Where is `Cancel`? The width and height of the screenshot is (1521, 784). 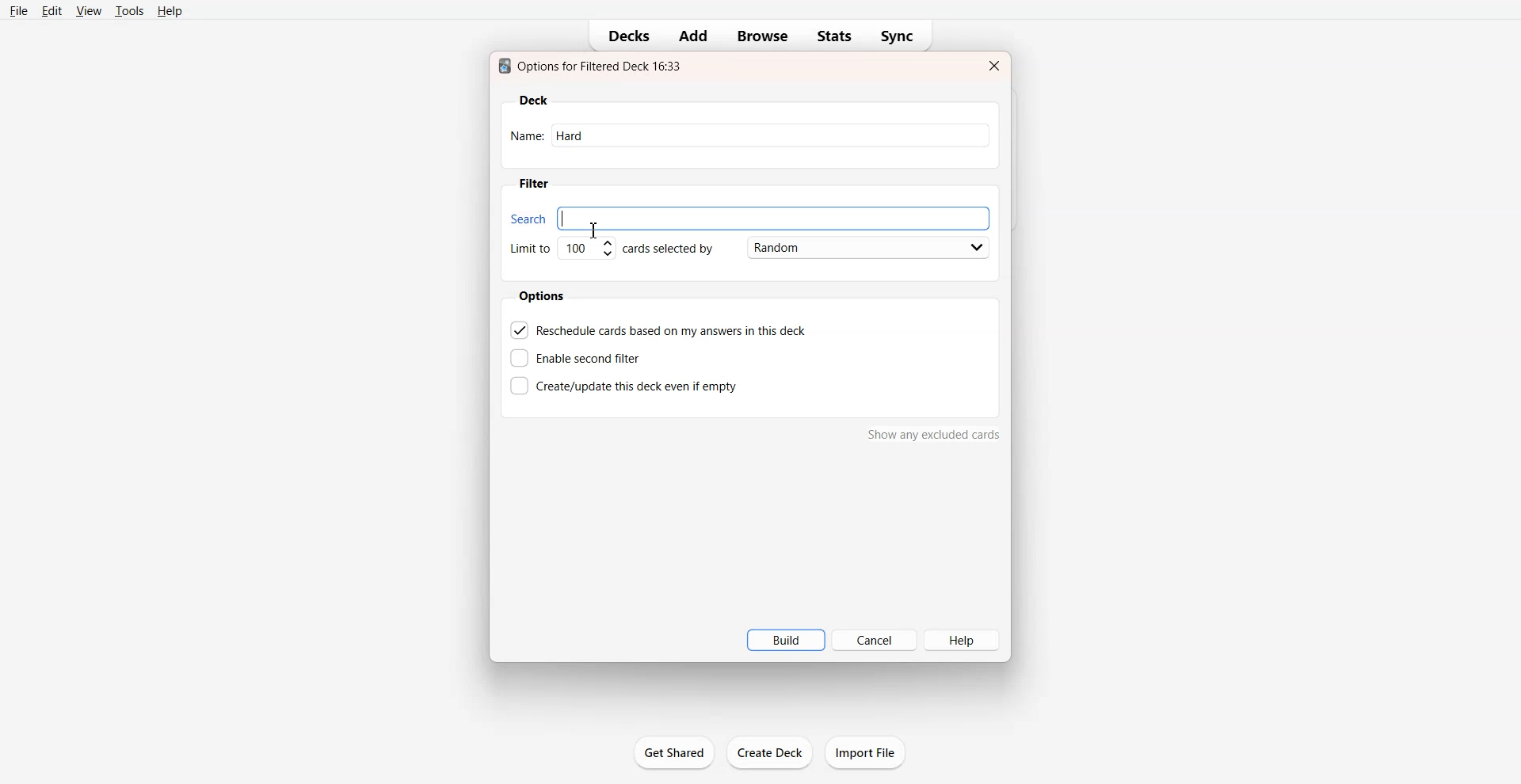 Cancel is located at coordinates (874, 640).